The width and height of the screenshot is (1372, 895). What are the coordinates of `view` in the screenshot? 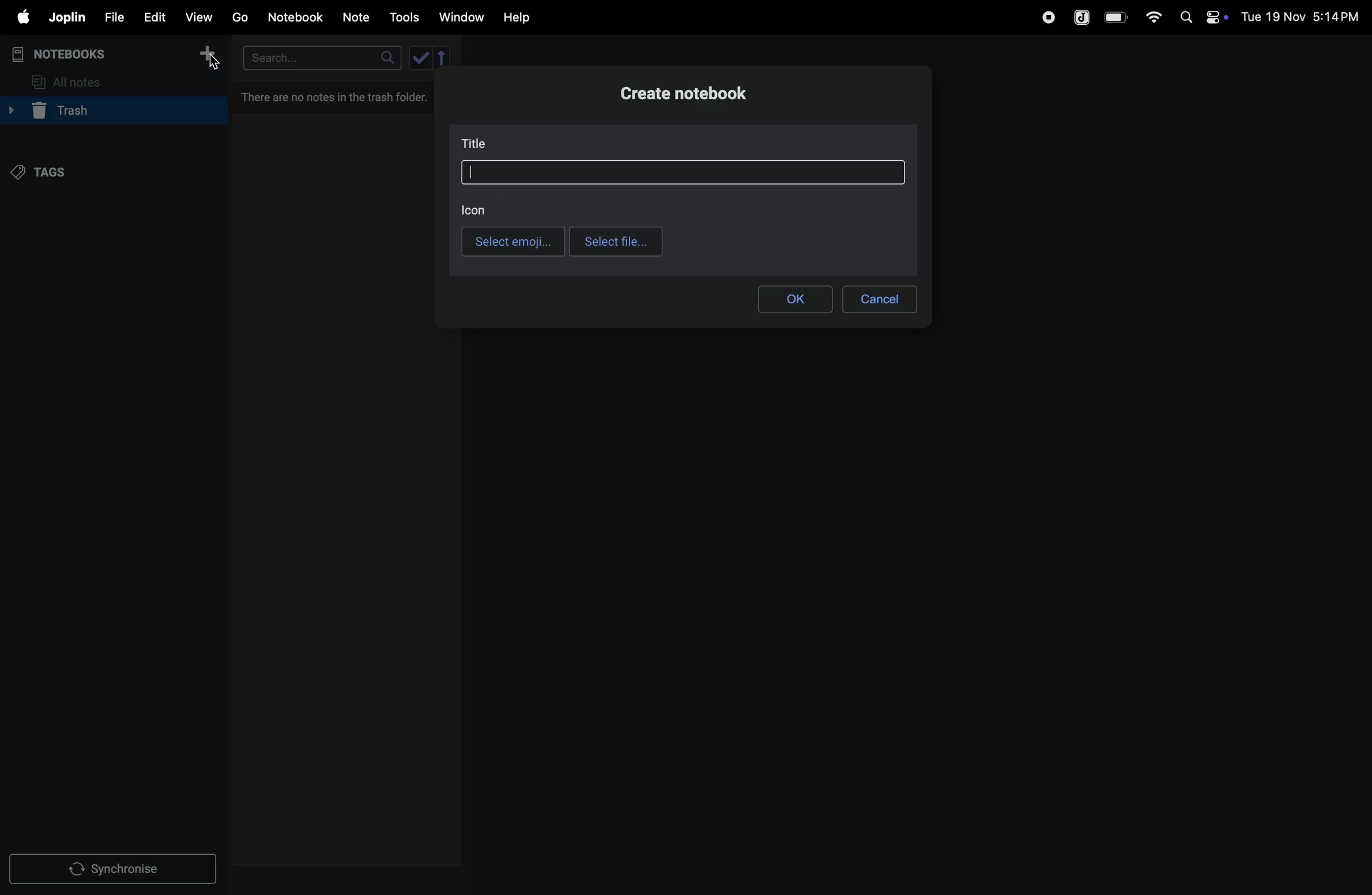 It's located at (198, 14).